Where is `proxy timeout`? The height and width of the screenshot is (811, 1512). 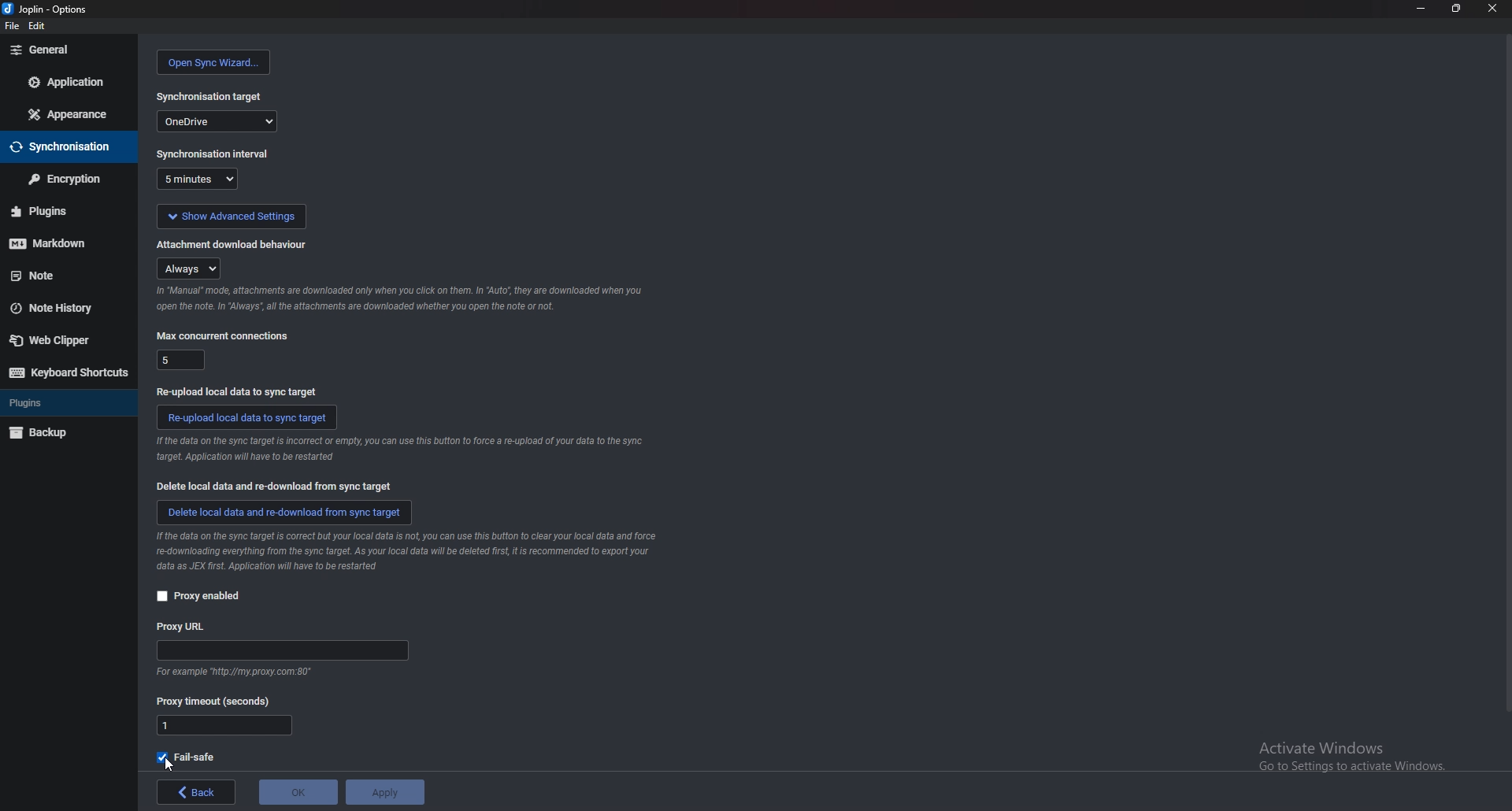
proxy timeout is located at coordinates (215, 702).